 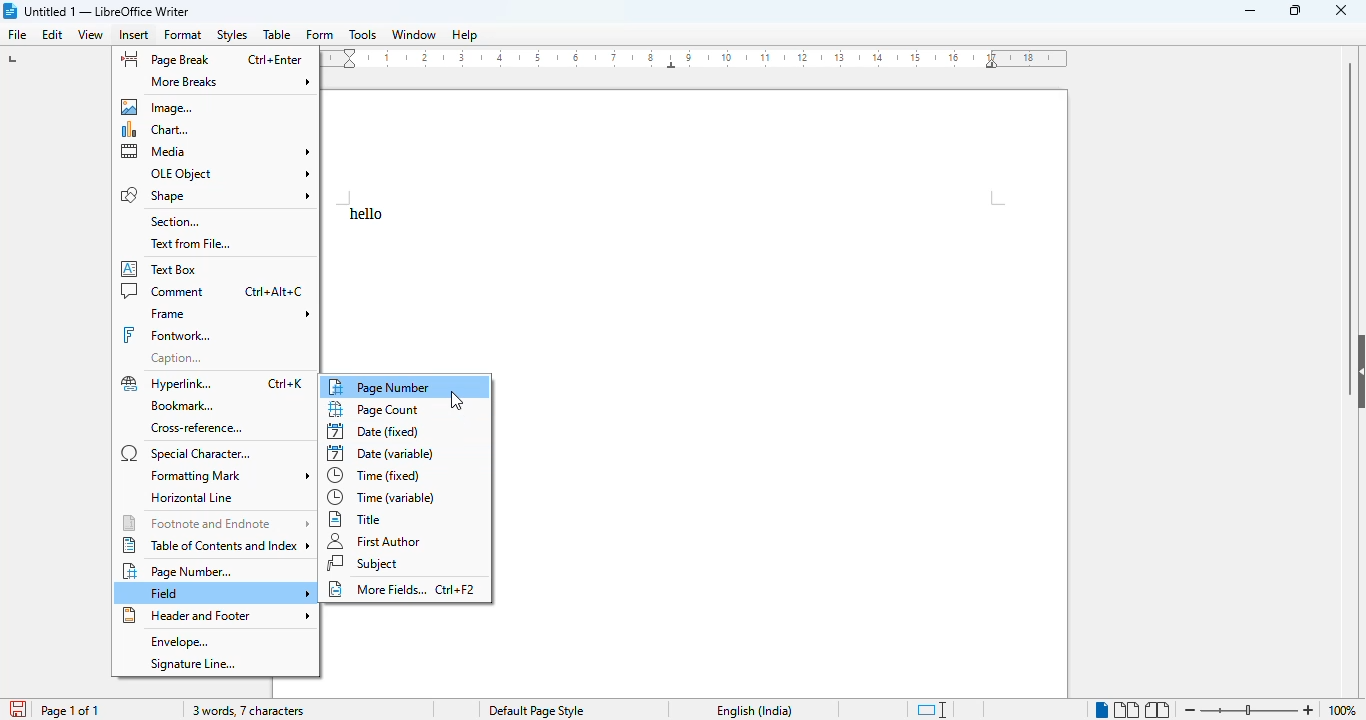 I want to click on book view, so click(x=1158, y=710).